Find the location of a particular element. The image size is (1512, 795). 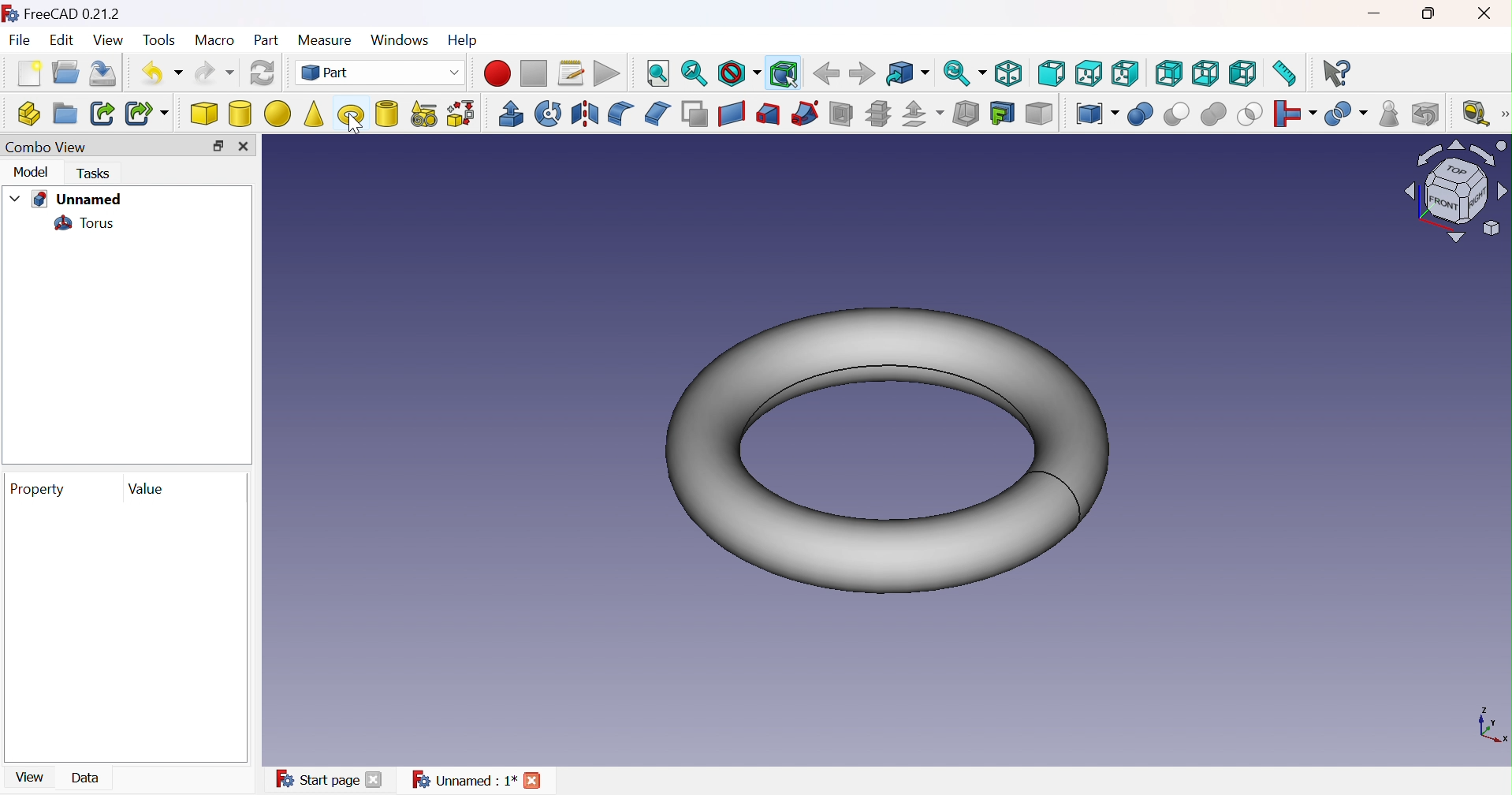

Start page is located at coordinates (333, 778).